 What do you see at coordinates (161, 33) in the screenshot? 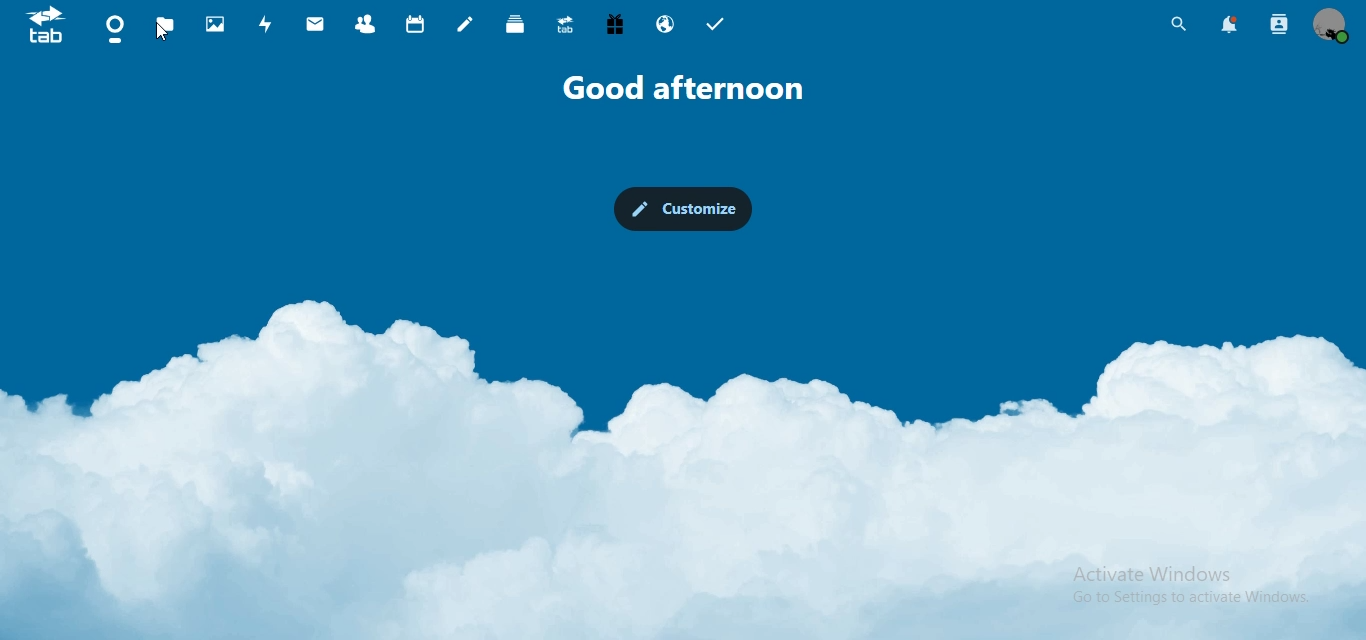
I see `Cursor` at bounding box center [161, 33].